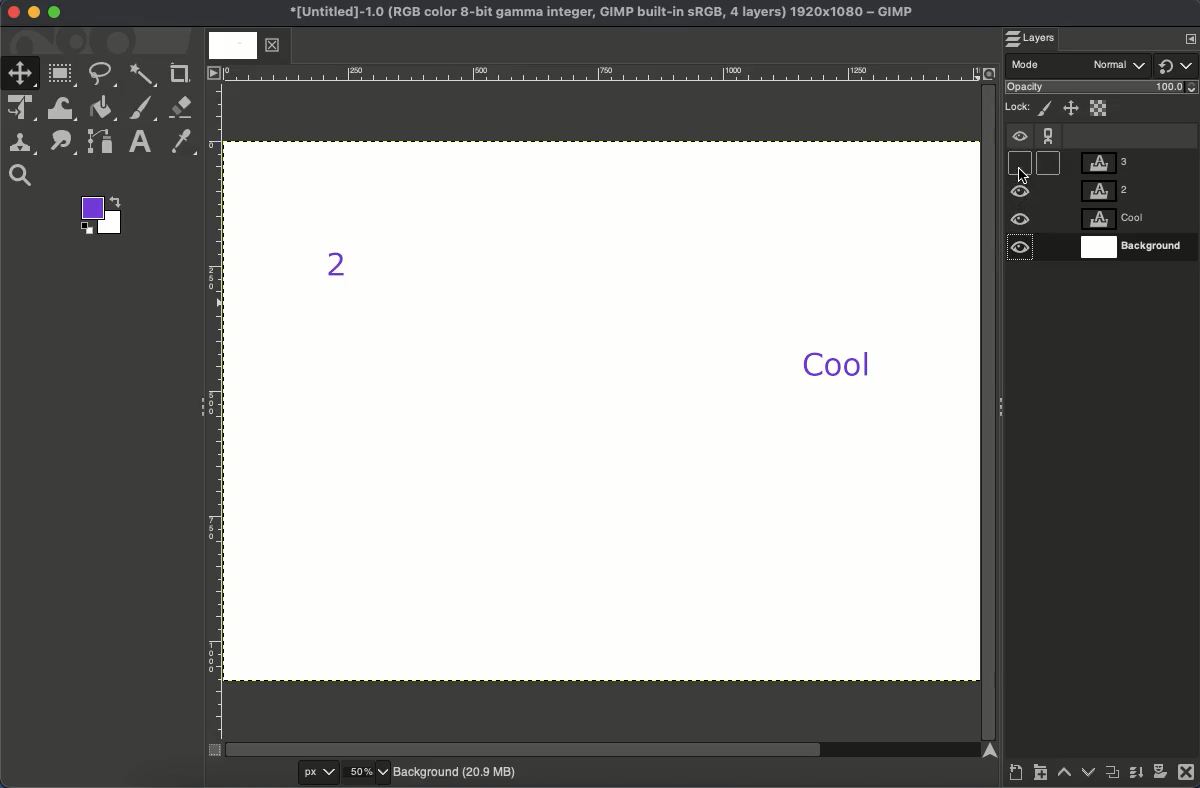  Describe the element at coordinates (603, 750) in the screenshot. I see `Scroll` at that location.